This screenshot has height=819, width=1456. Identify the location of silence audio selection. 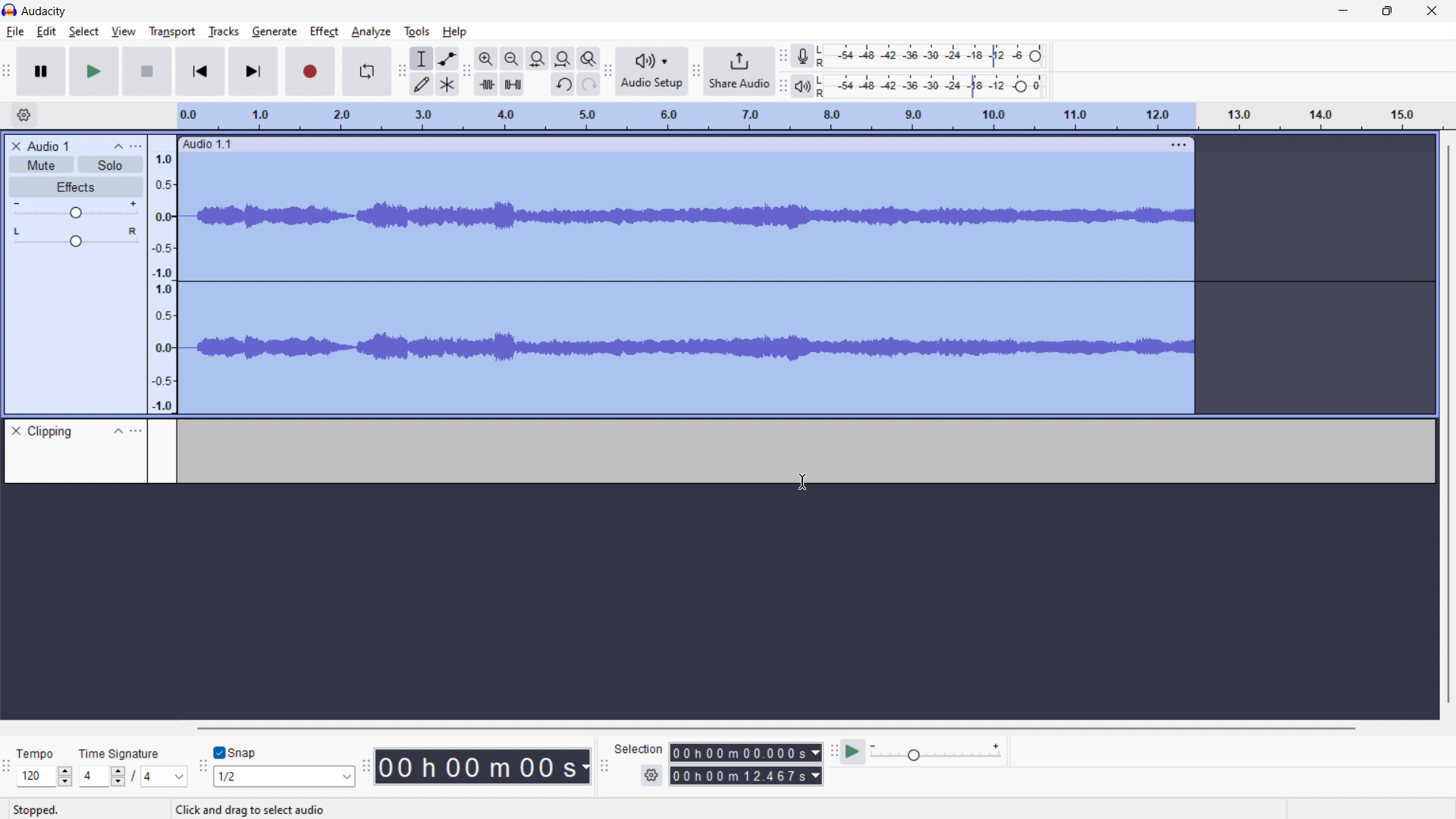
(513, 83).